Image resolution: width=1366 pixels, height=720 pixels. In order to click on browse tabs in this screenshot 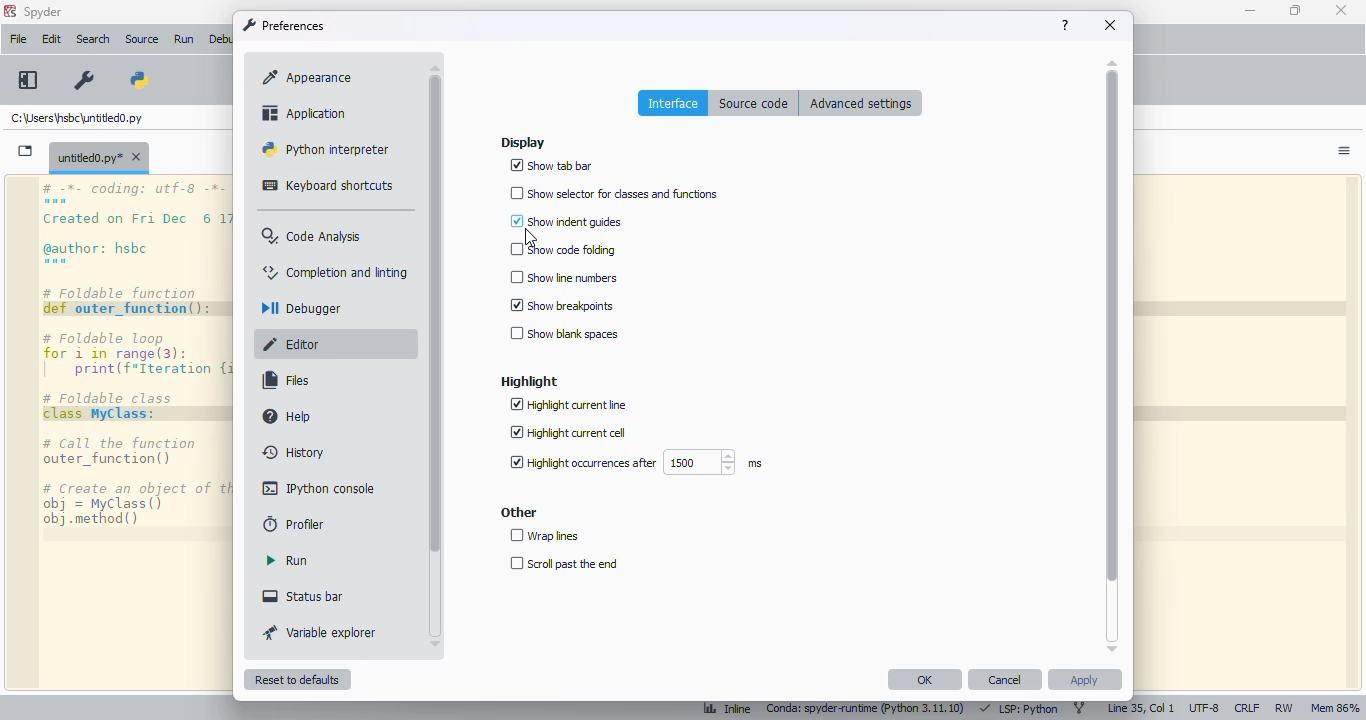, I will do `click(26, 151)`.